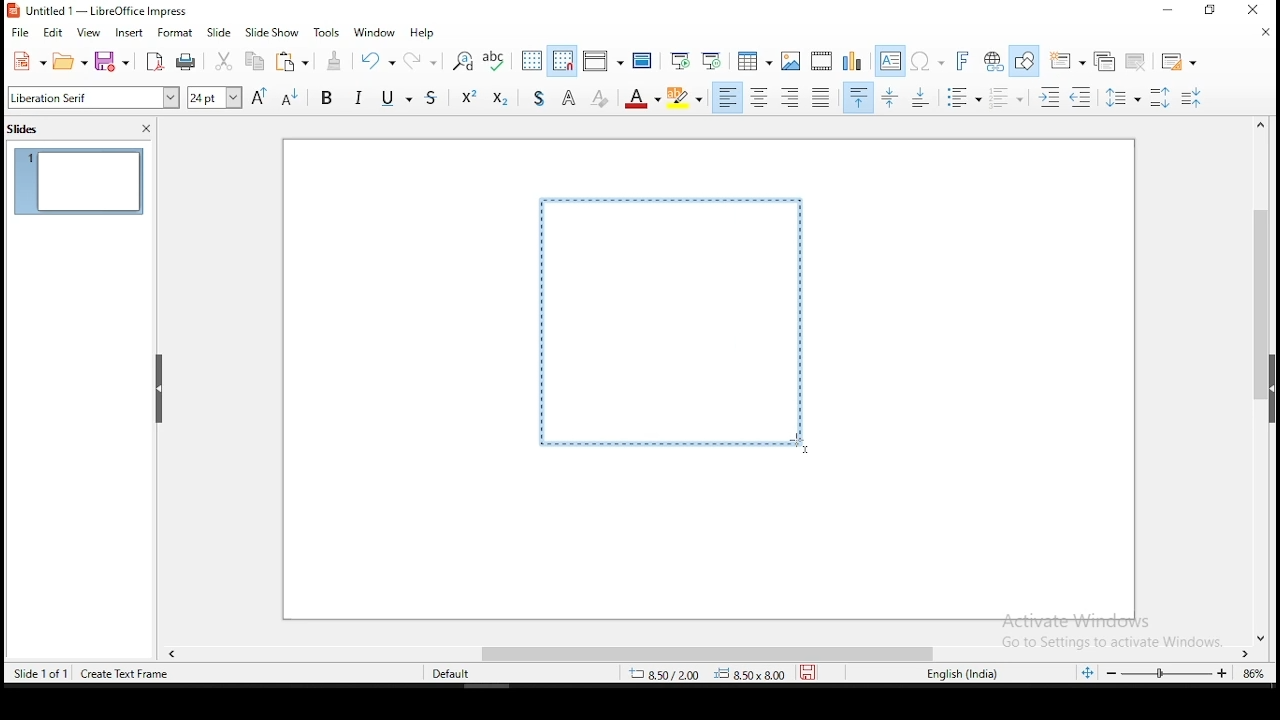 This screenshot has width=1280, height=720. Describe the element at coordinates (493, 59) in the screenshot. I see `spell check` at that location.